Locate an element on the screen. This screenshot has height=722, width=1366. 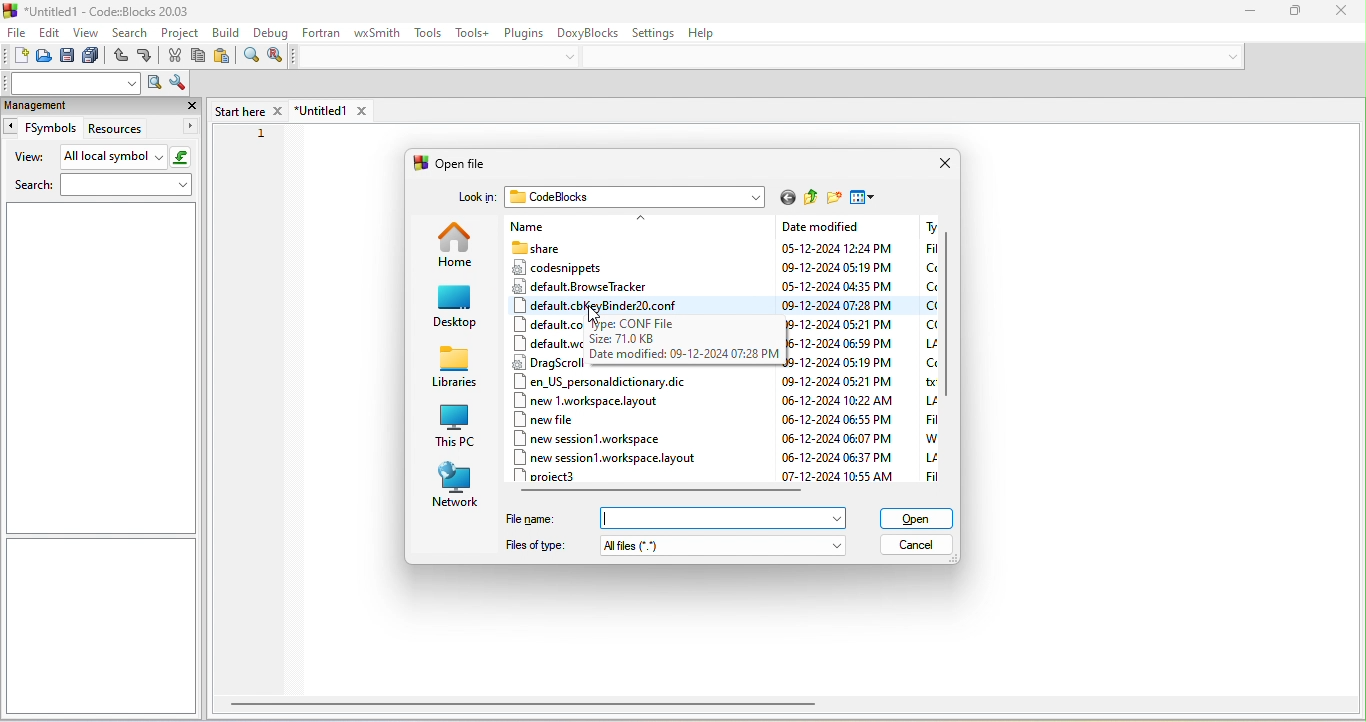
vertical scroll bar is located at coordinates (950, 315).